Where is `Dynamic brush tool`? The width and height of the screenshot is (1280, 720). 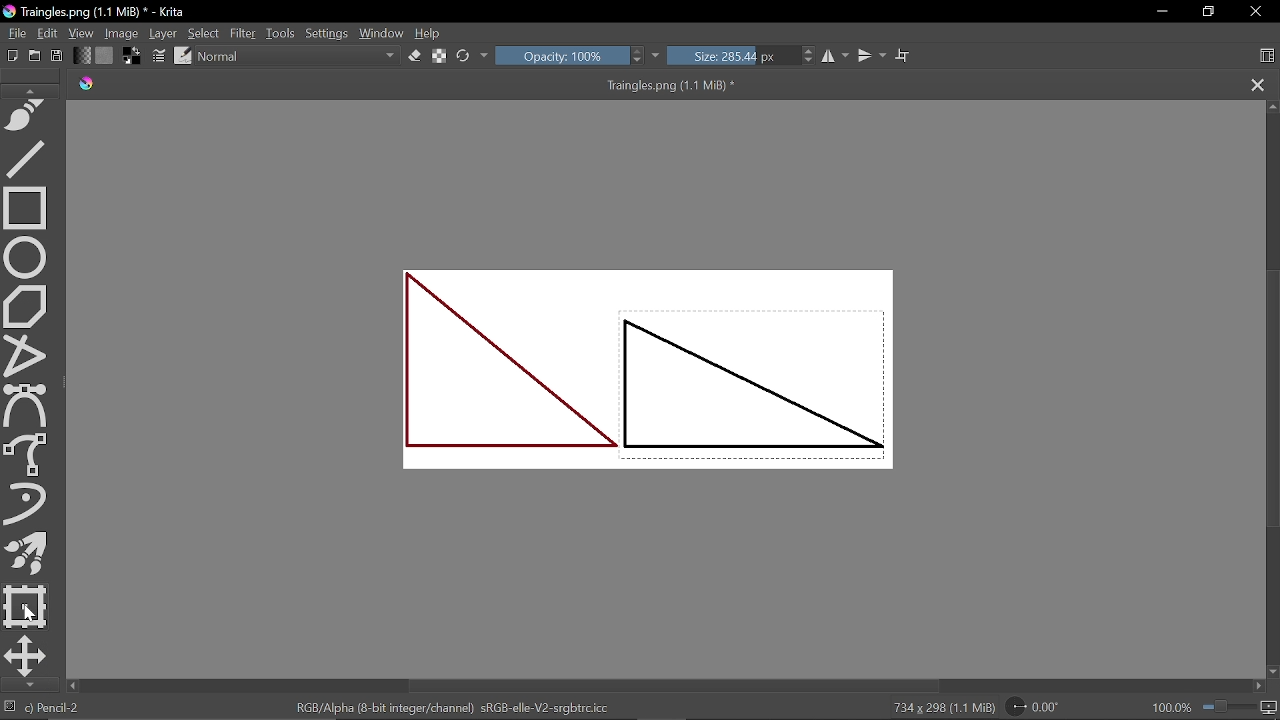 Dynamic brush tool is located at coordinates (31, 505).